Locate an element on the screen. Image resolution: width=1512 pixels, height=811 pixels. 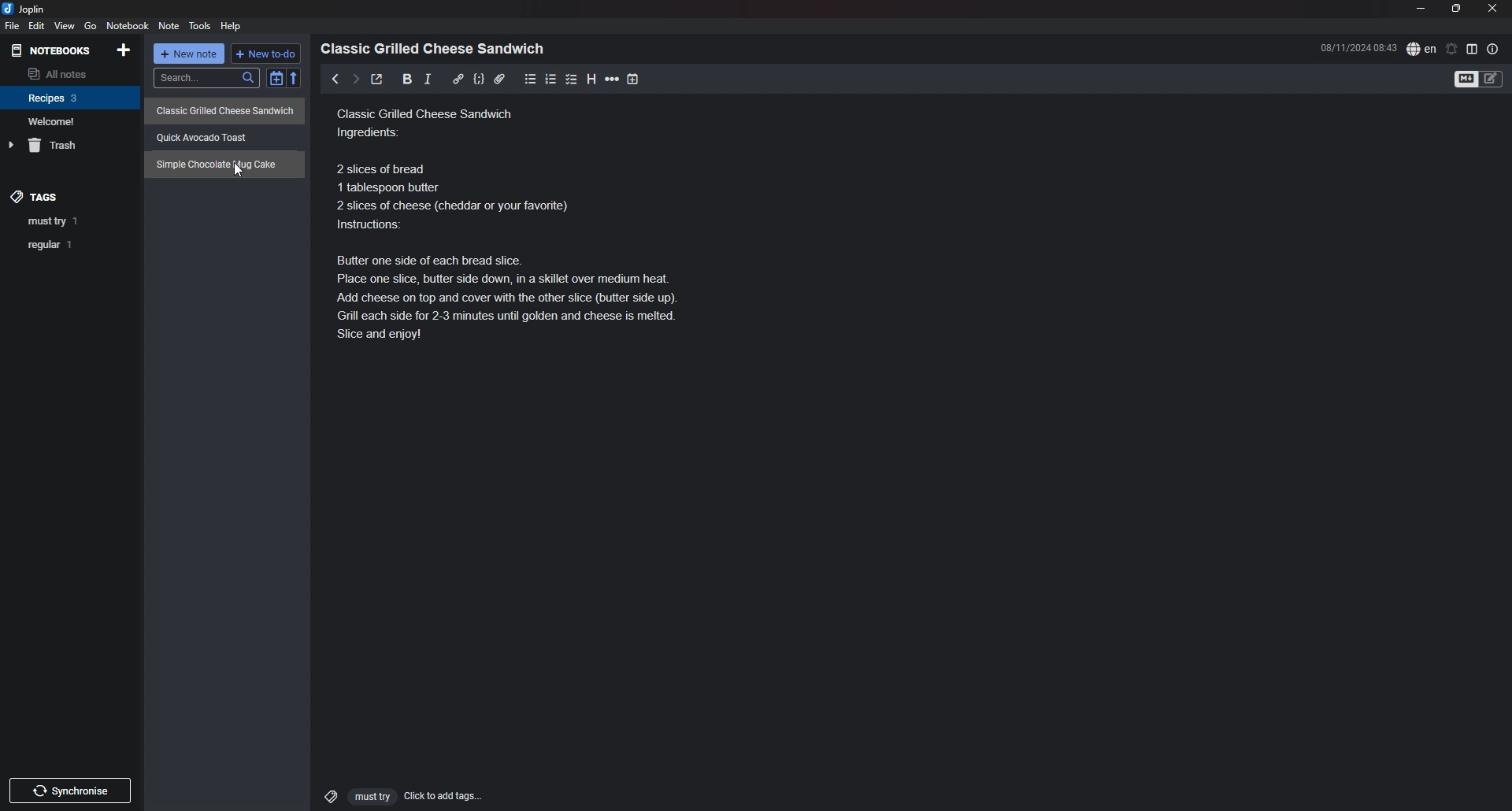
Classic grilled cheese sandwich ingredients is located at coordinates (524, 228).